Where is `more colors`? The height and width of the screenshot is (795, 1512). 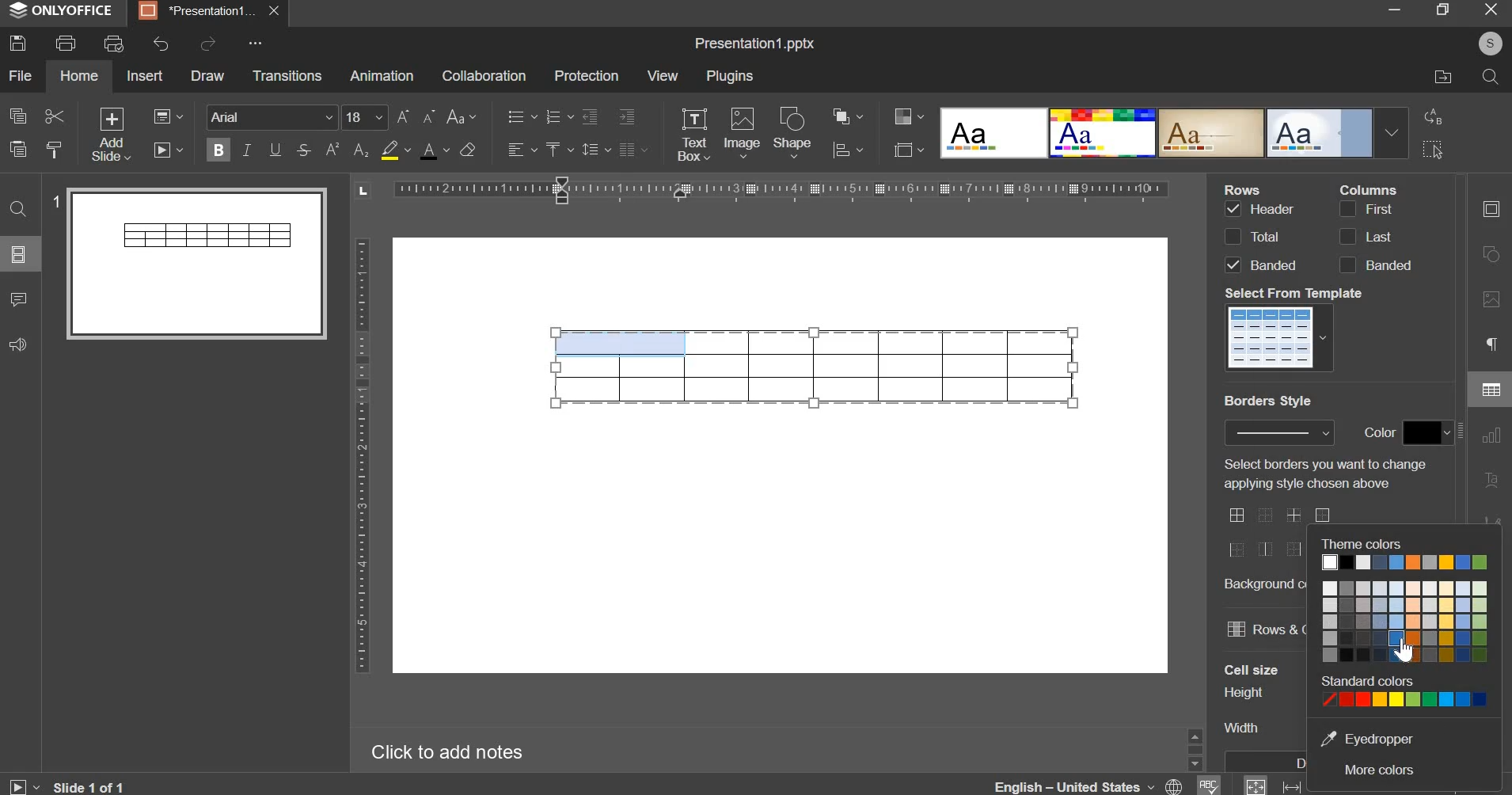 more colors is located at coordinates (1379, 772).